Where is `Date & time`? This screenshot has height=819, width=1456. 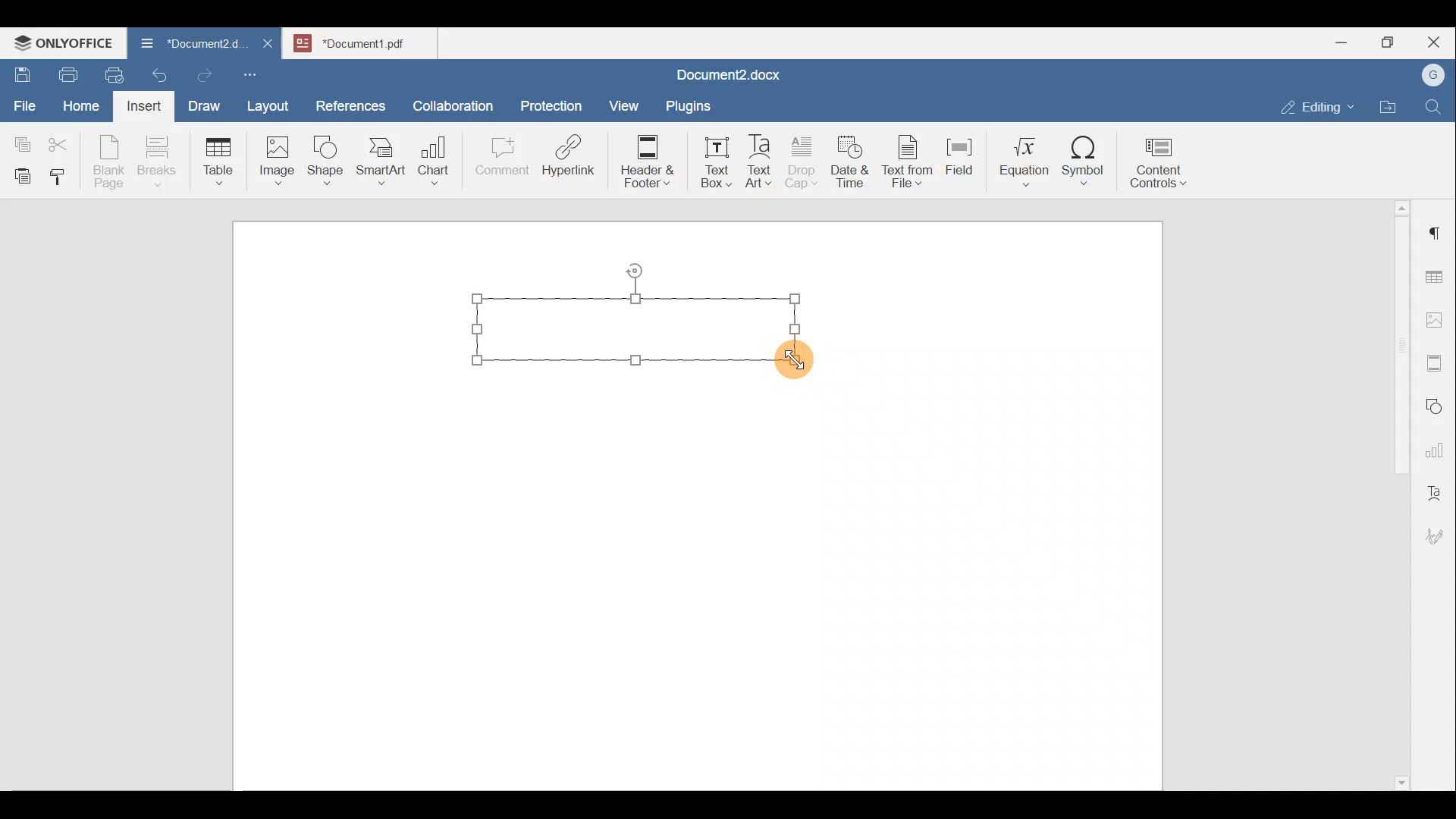
Date & time is located at coordinates (851, 159).